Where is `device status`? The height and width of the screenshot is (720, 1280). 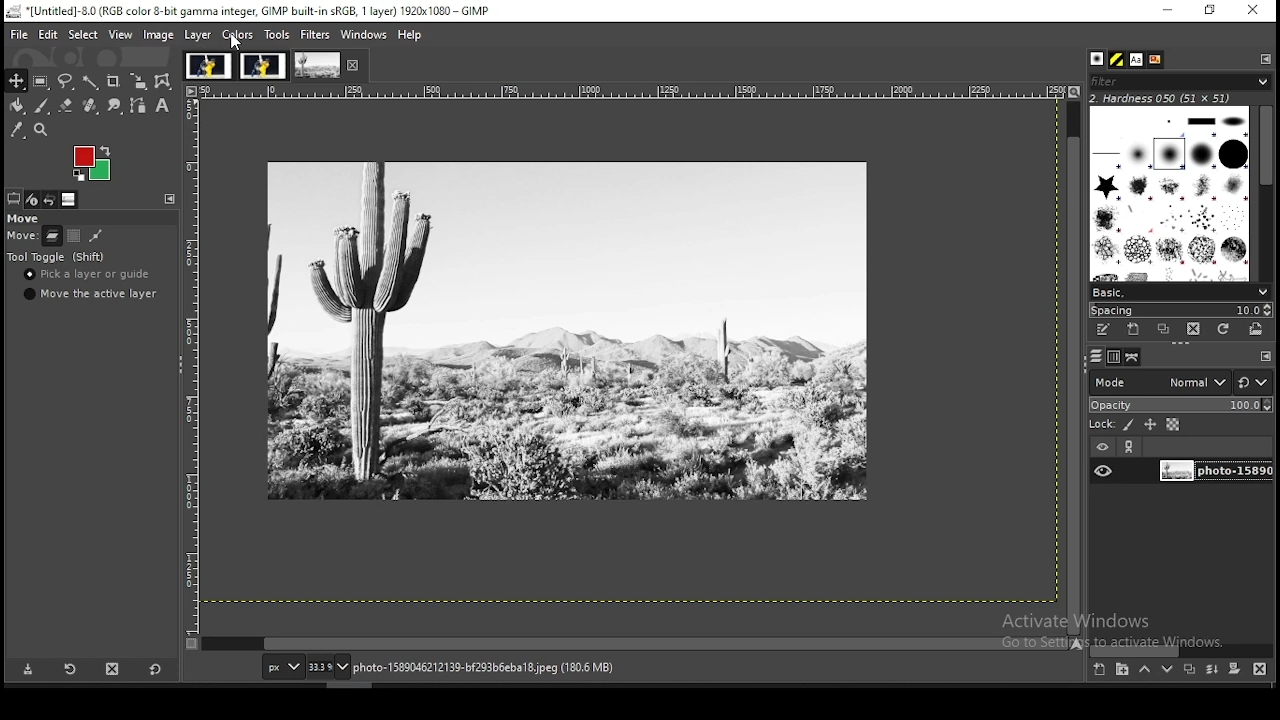
device status is located at coordinates (34, 199).